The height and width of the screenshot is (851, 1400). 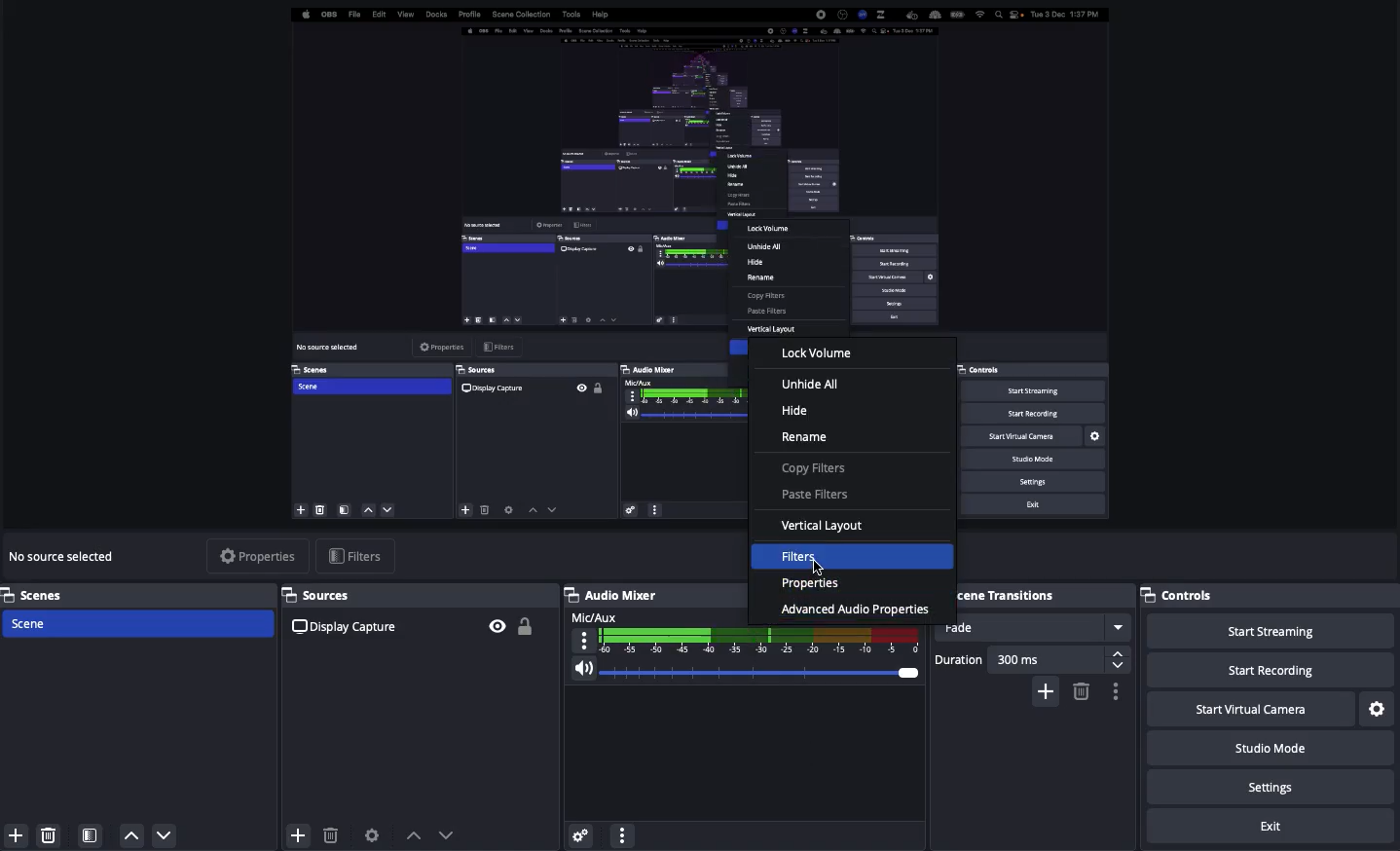 I want to click on Start streaming, so click(x=1270, y=632).